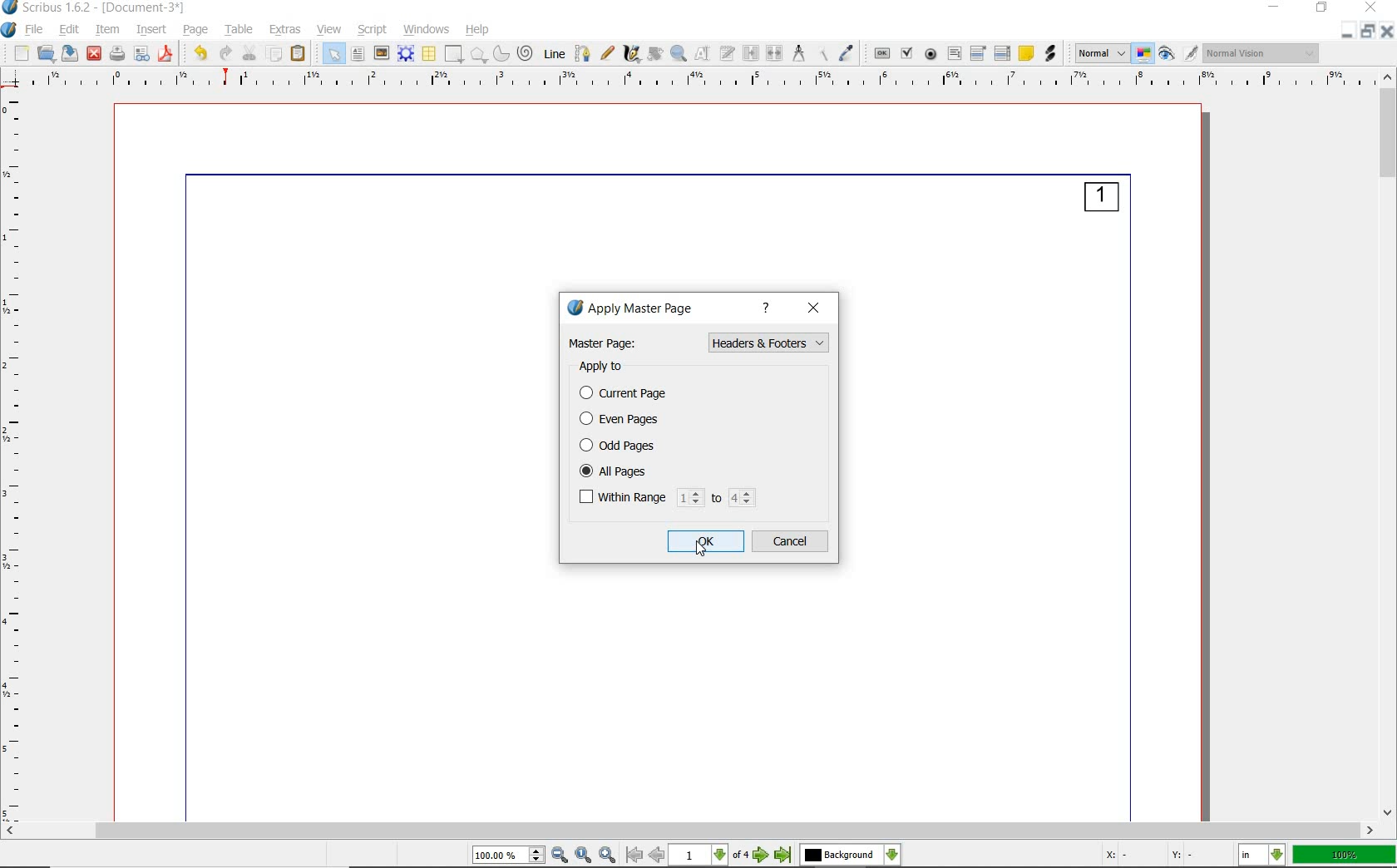 Image resolution: width=1397 pixels, height=868 pixels. What do you see at coordinates (427, 31) in the screenshot?
I see `windows` at bounding box center [427, 31].